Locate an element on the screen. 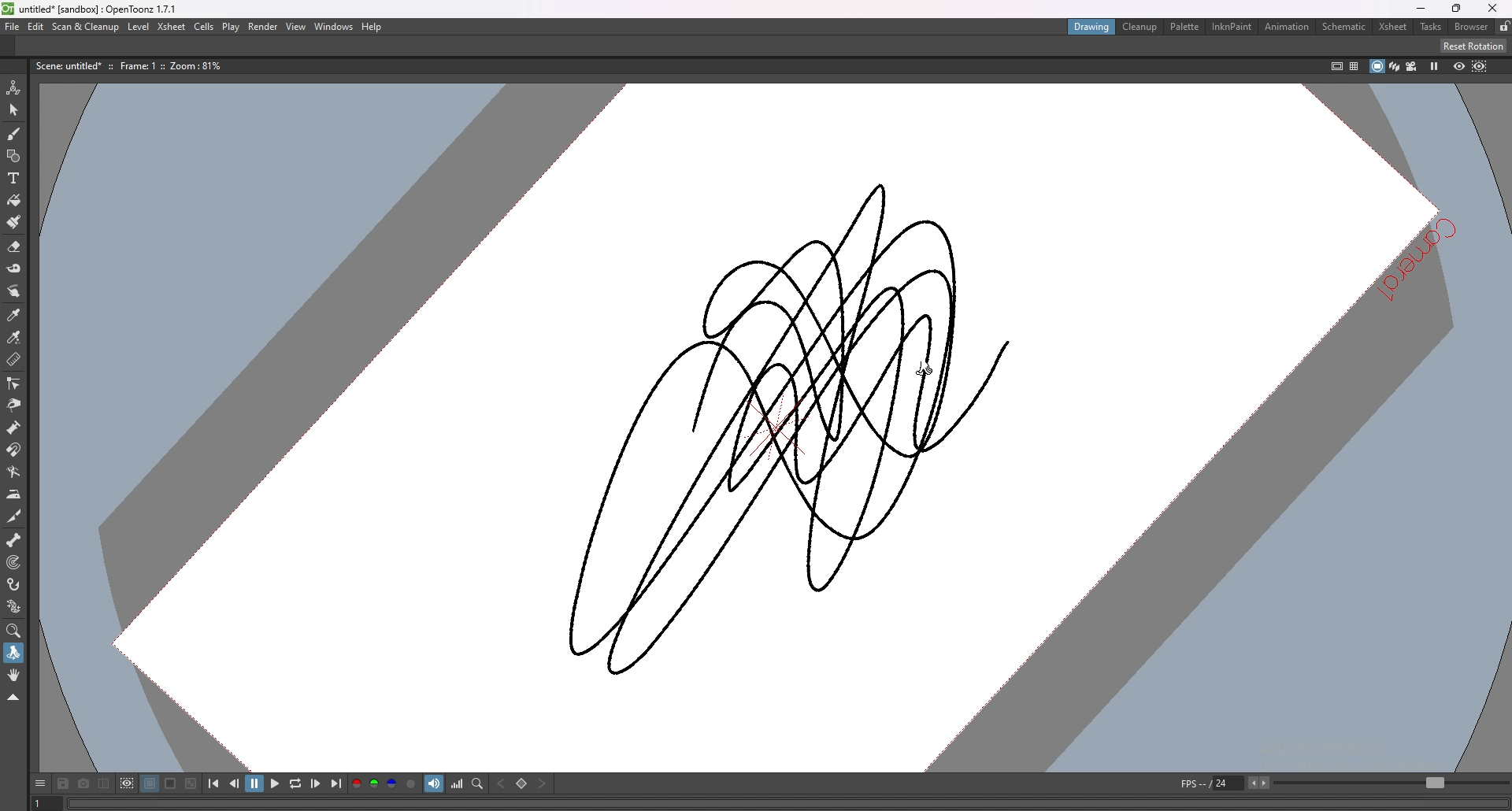 The image size is (1512, 811). style picker is located at coordinates (15, 315).